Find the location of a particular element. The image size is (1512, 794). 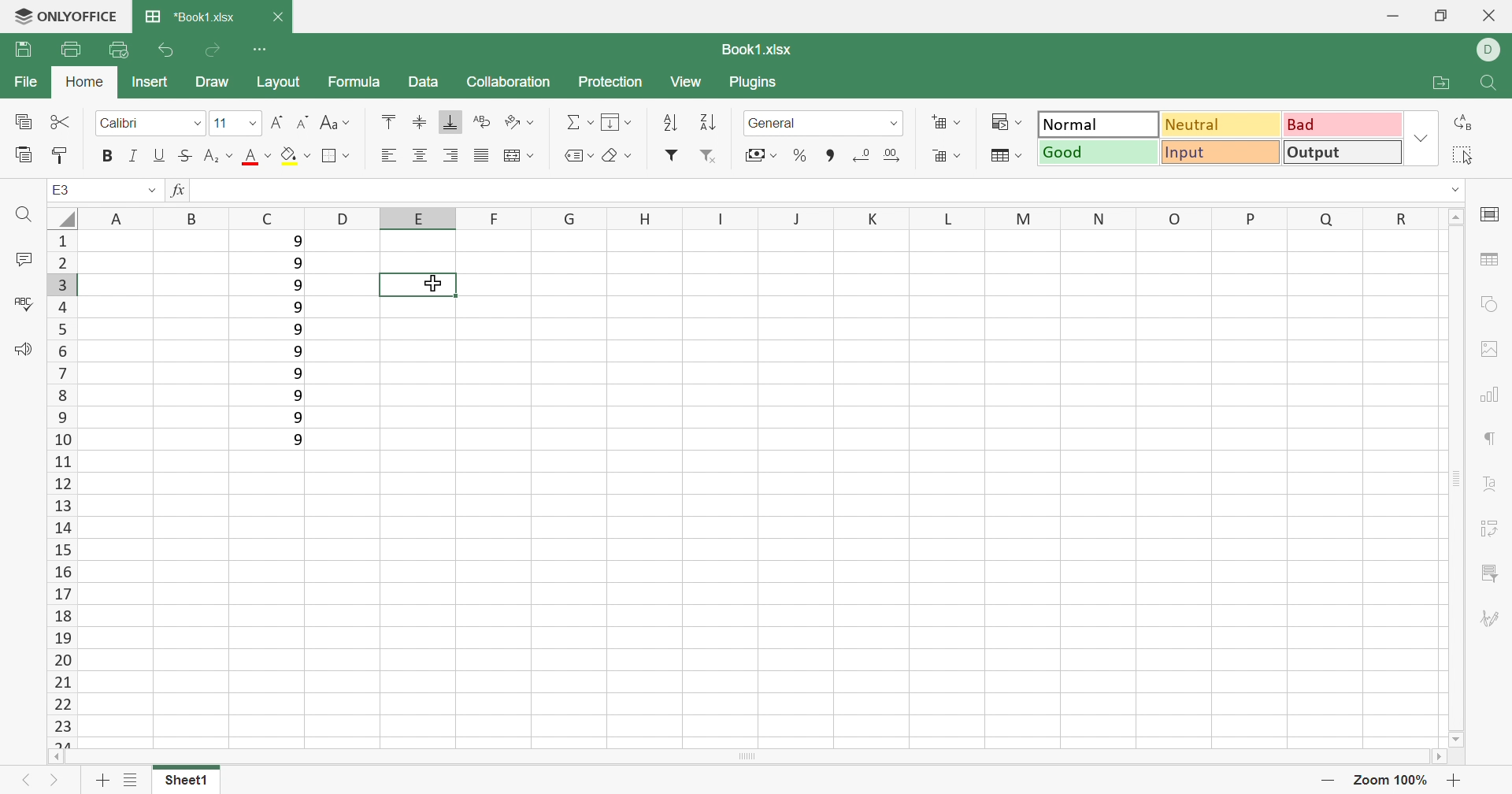

Fill color is located at coordinates (295, 155).